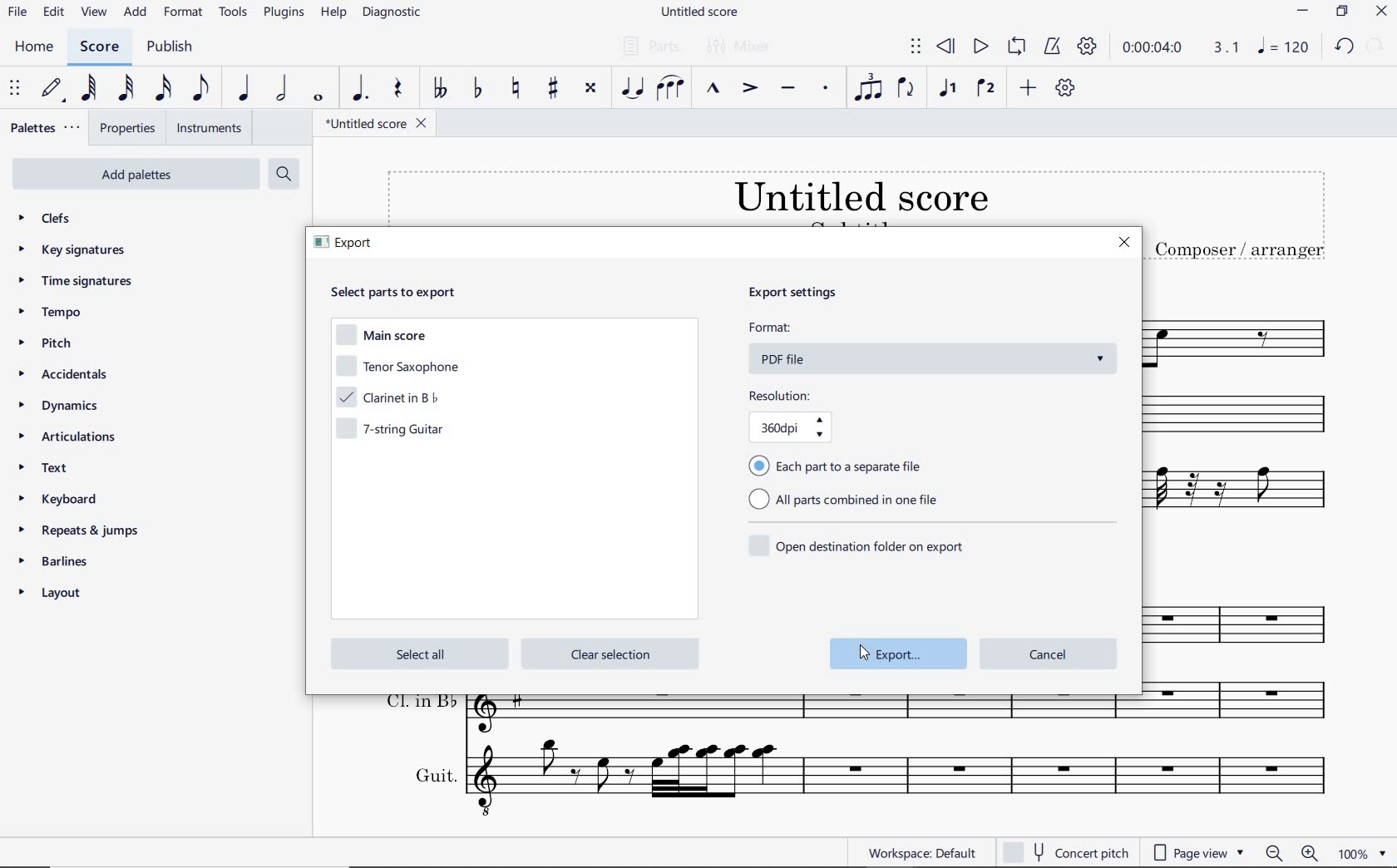  Describe the element at coordinates (77, 283) in the screenshot. I see `time signatures` at that location.